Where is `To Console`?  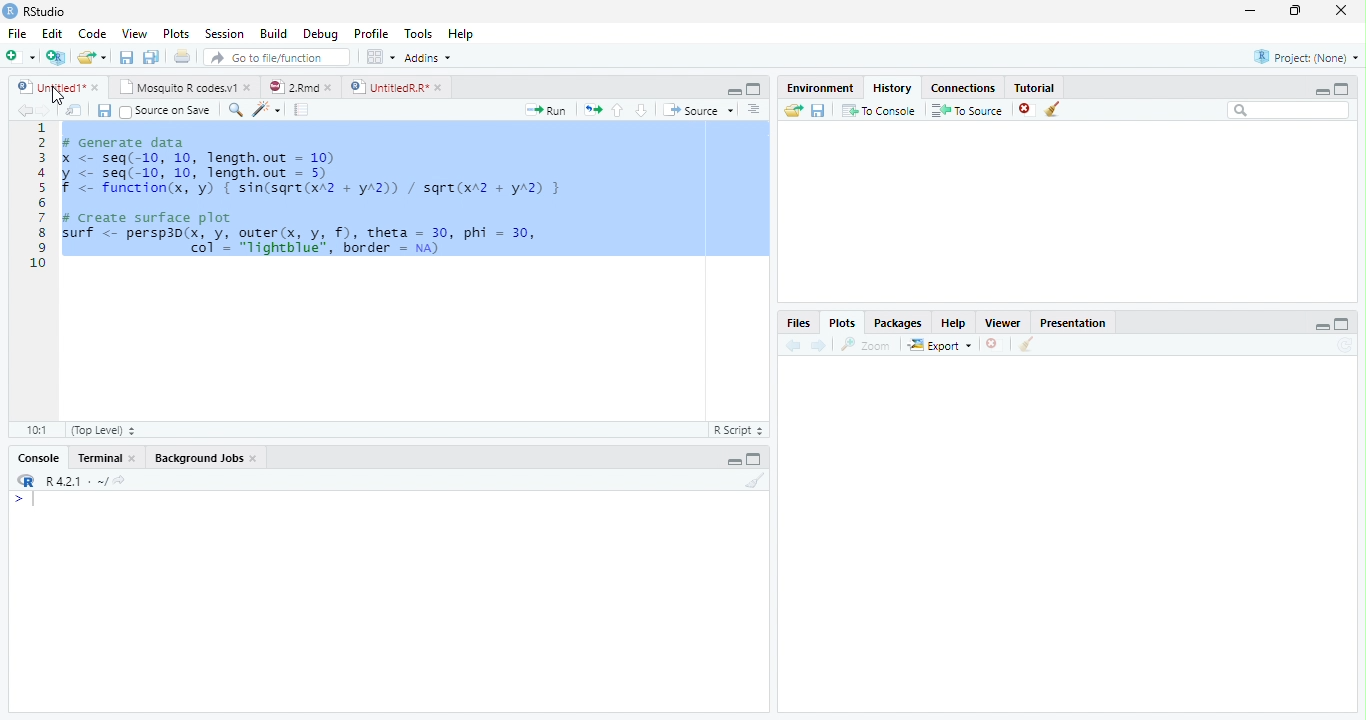 To Console is located at coordinates (879, 110).